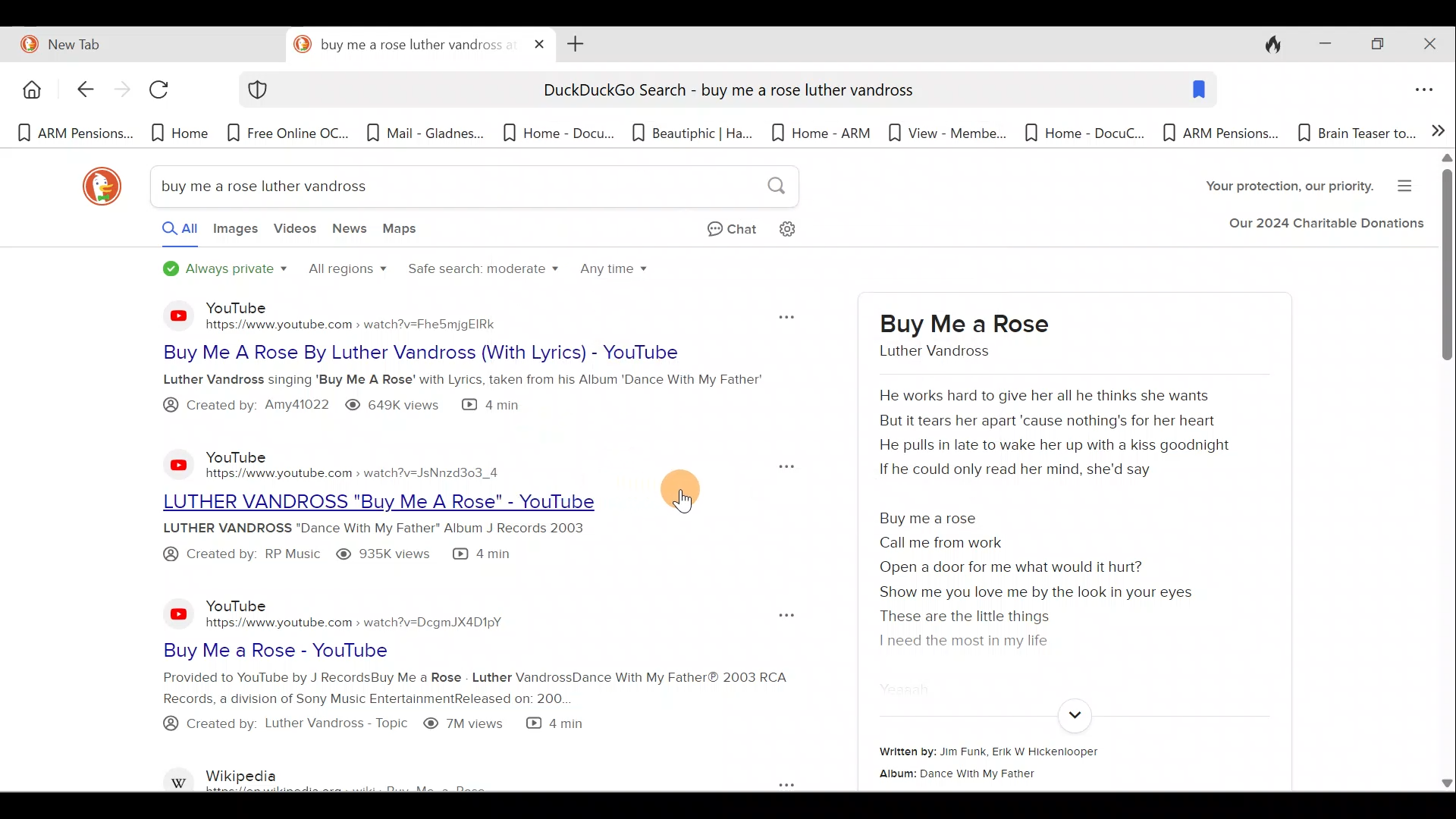  I want to click on Back, so click(77, 91).